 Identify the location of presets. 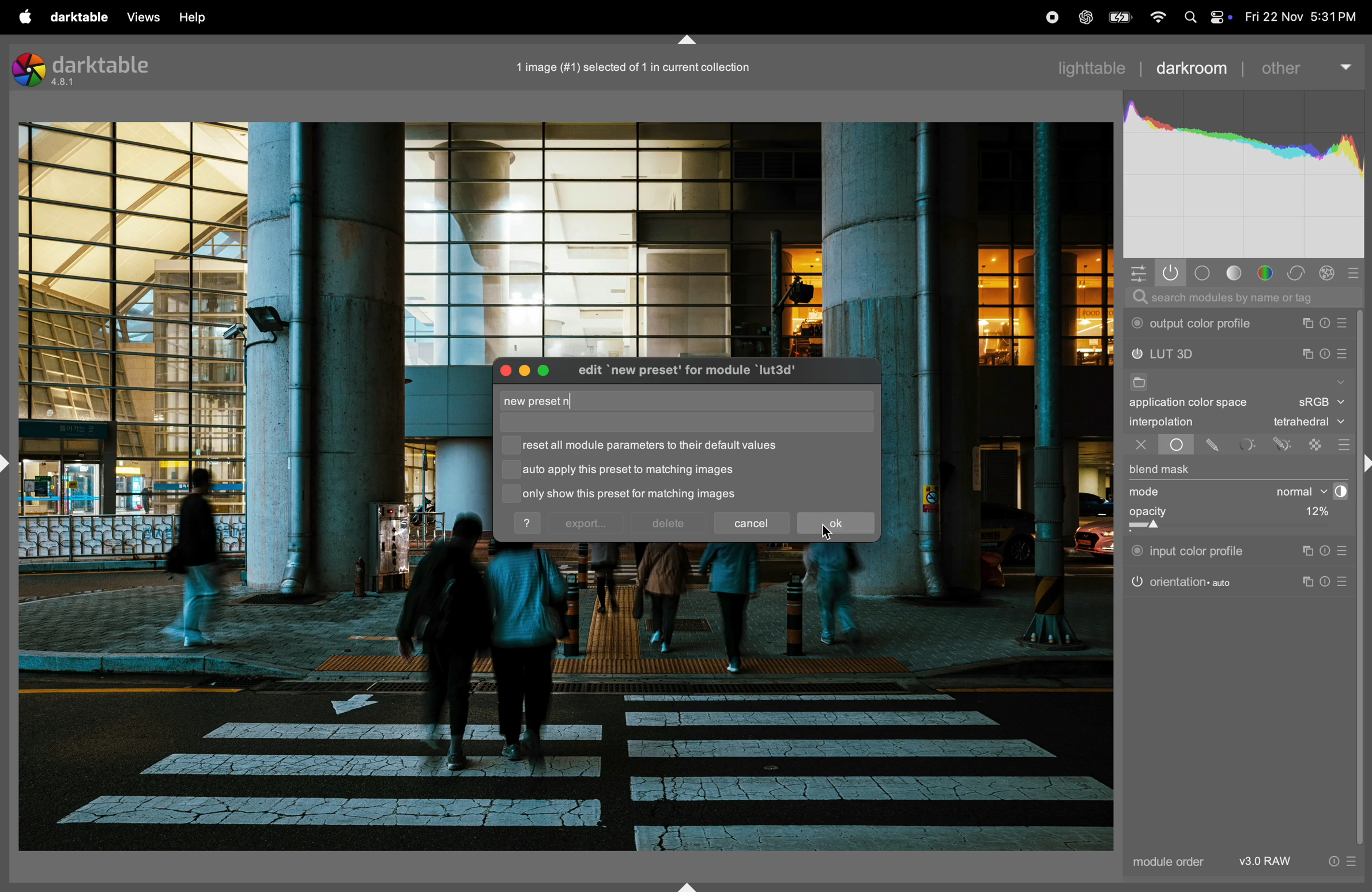
(1344, 551).